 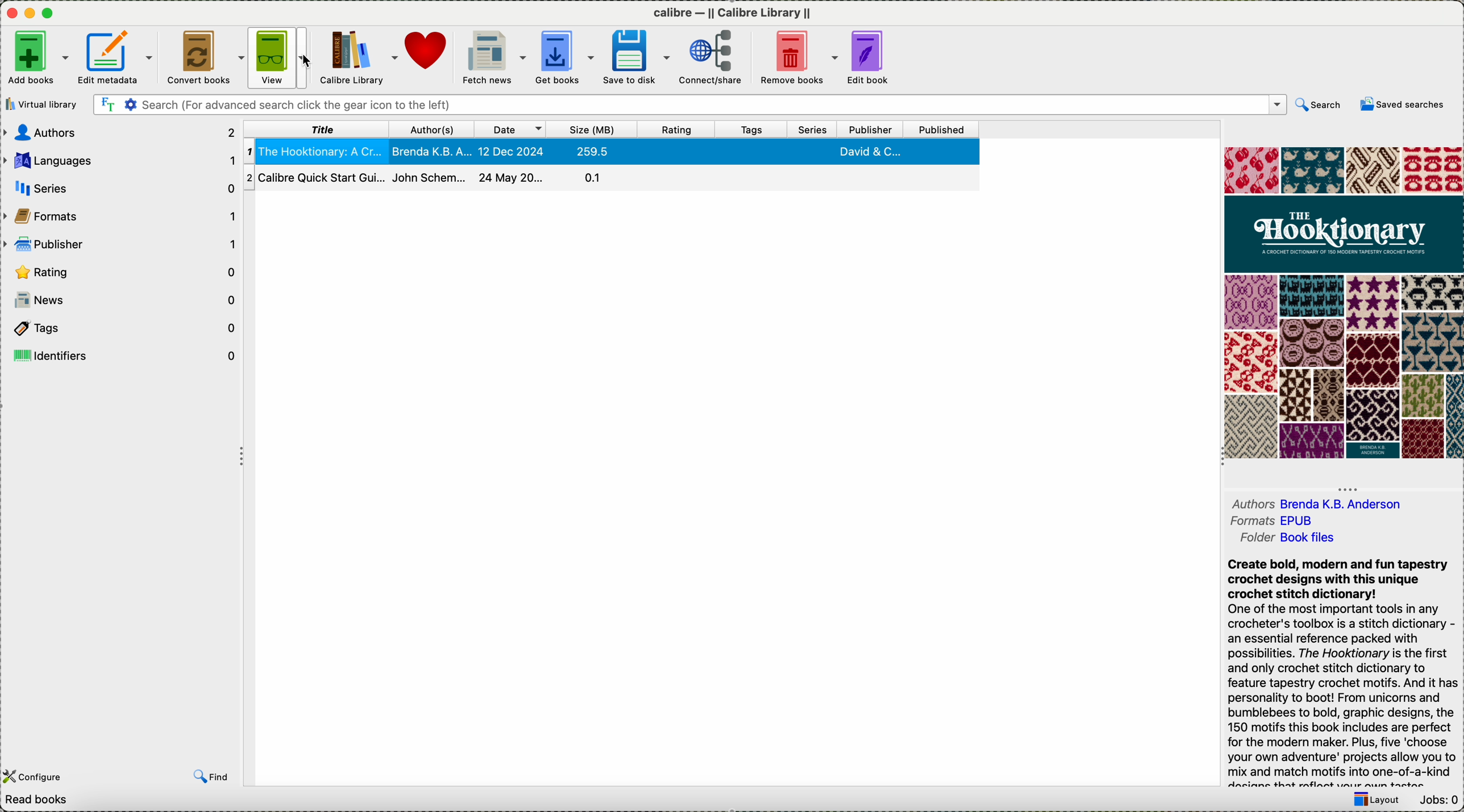 What do you see at coordinates (122, 354) in the screenshot?
I see `identifiers` at bounding box center [122, 354].